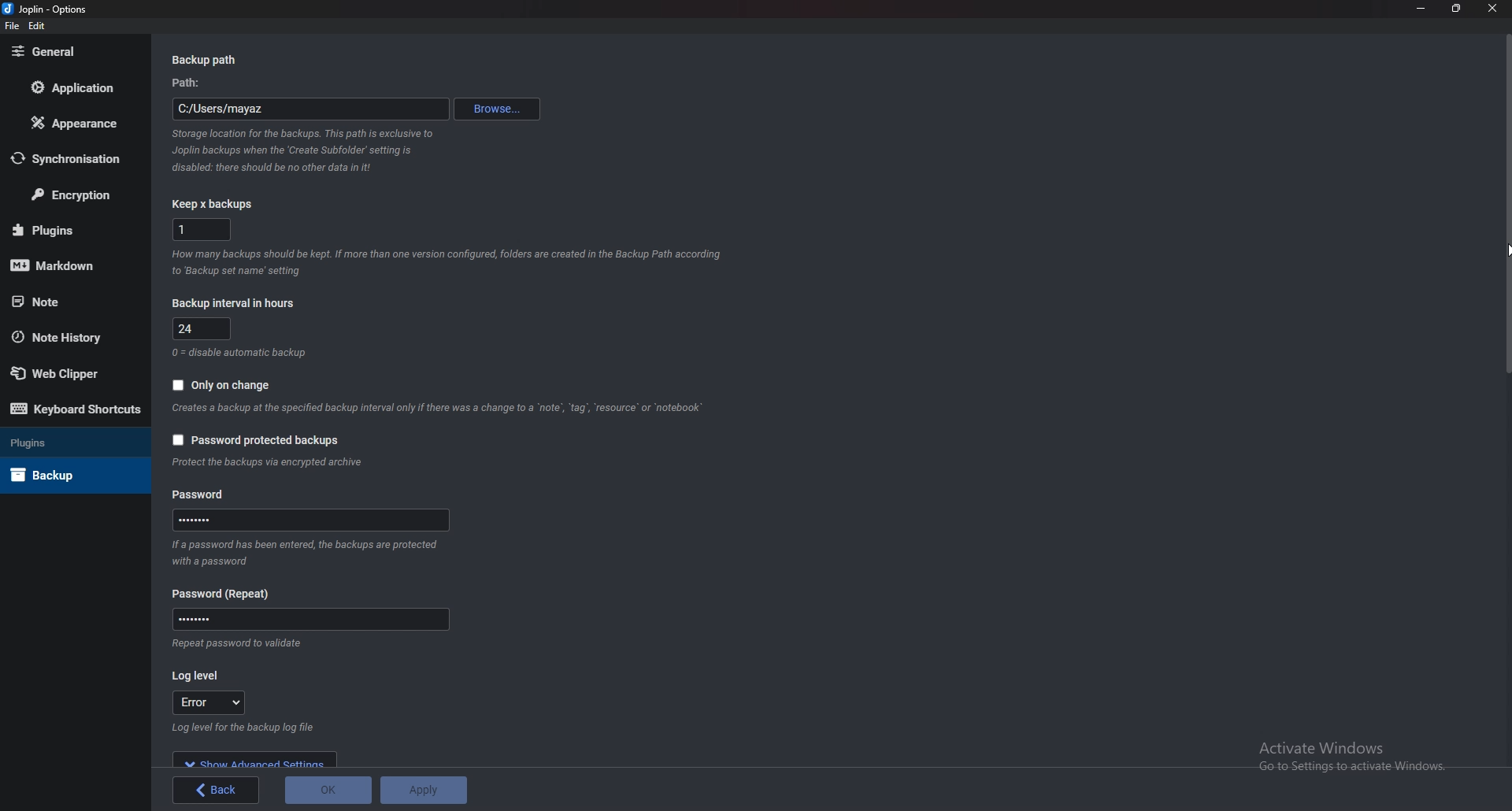  What do you see at coordinates (64, 267) in the screenshot?
I see `mark down` at bounding box center [64, 267].